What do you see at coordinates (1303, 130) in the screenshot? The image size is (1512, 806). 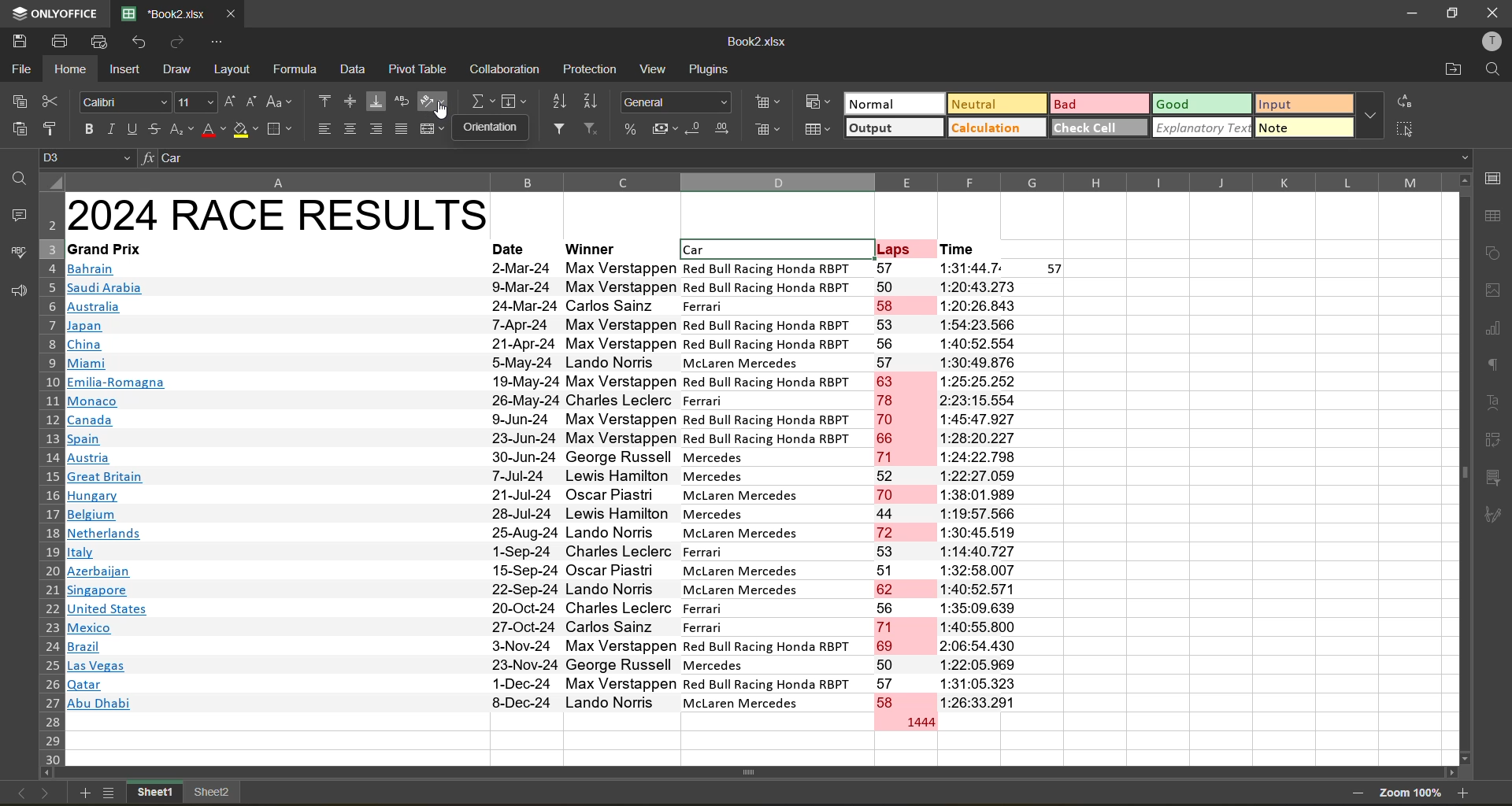 I see `note` at bounding box center [1303, 130].